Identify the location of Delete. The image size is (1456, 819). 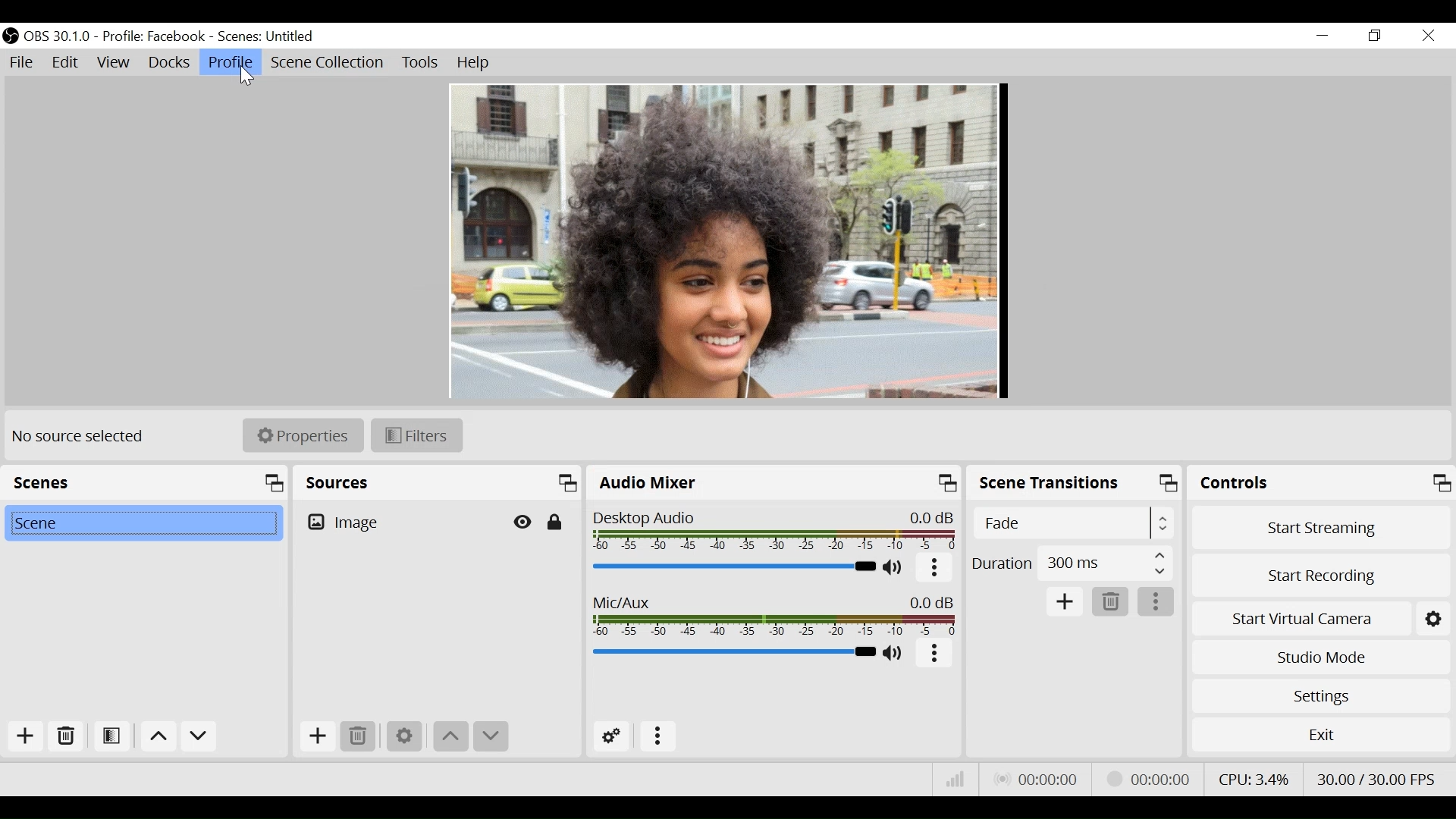
(358, 736).